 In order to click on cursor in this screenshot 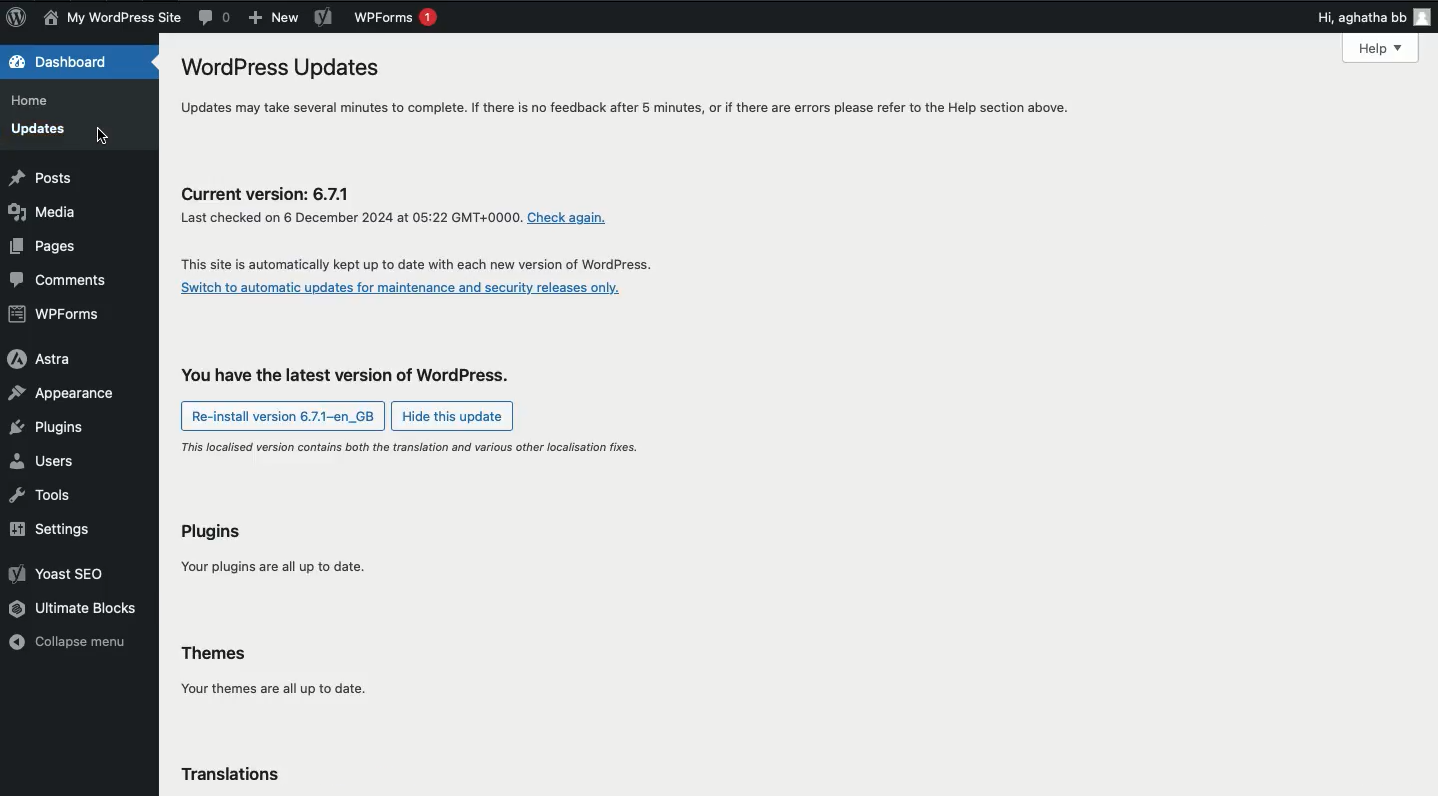, I will do `click(105, 136)`.